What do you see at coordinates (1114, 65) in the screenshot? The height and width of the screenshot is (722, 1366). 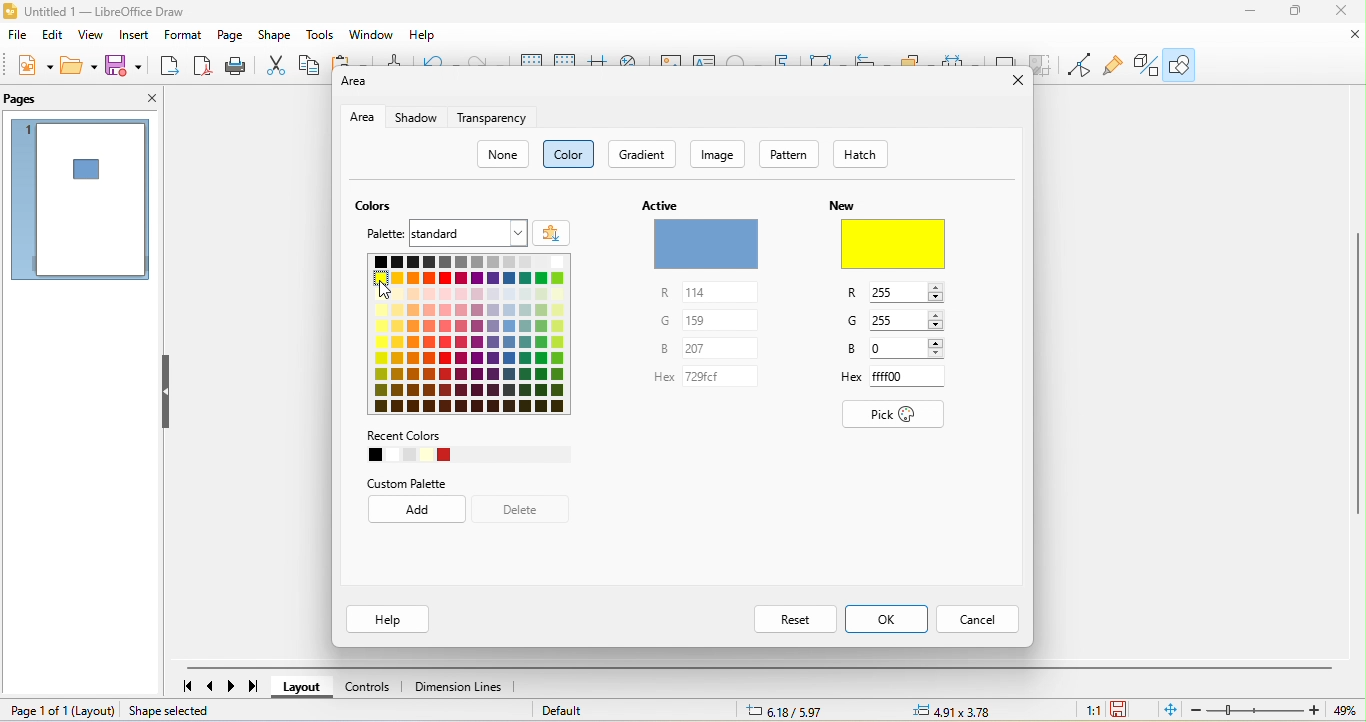 I see `show gluepoint function` at bounding box center [1114, 65].